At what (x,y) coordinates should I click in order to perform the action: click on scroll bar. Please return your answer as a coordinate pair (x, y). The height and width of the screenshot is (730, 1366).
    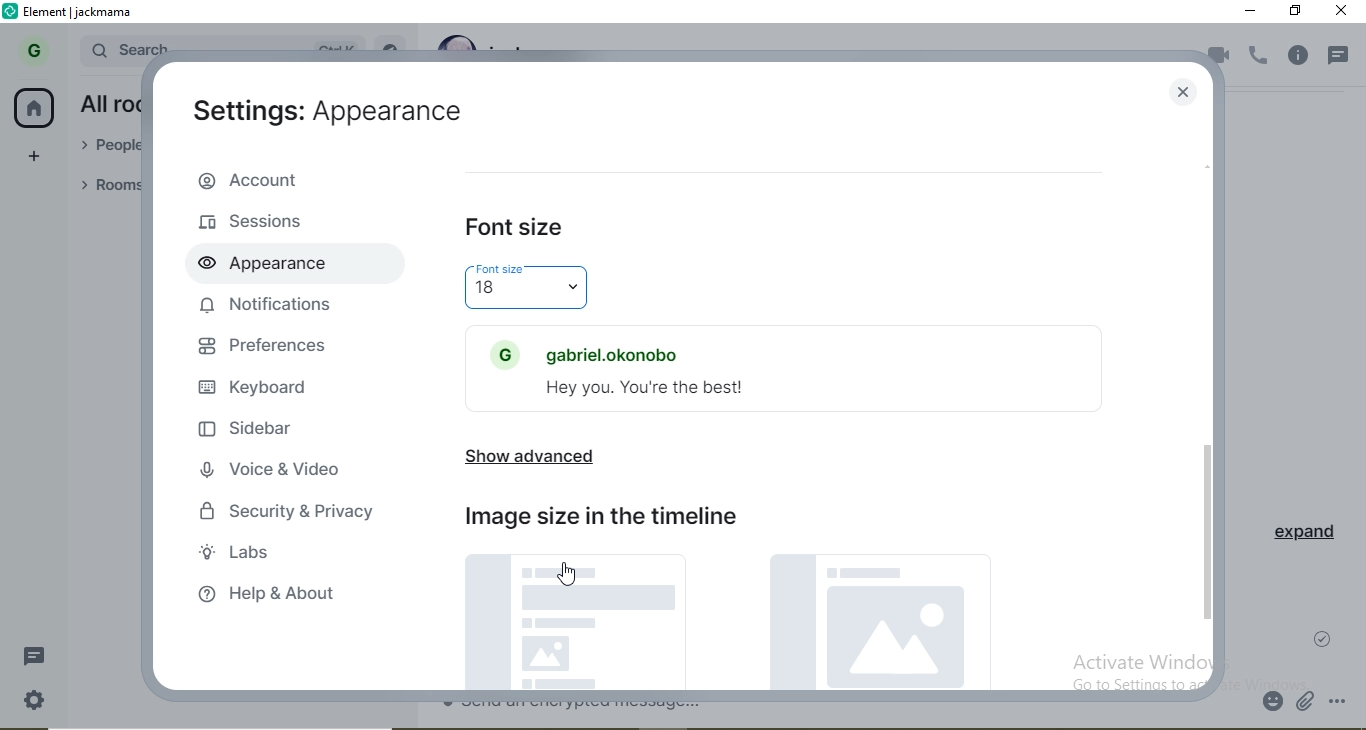
    Looking at the image, I should click on (1208, 395).